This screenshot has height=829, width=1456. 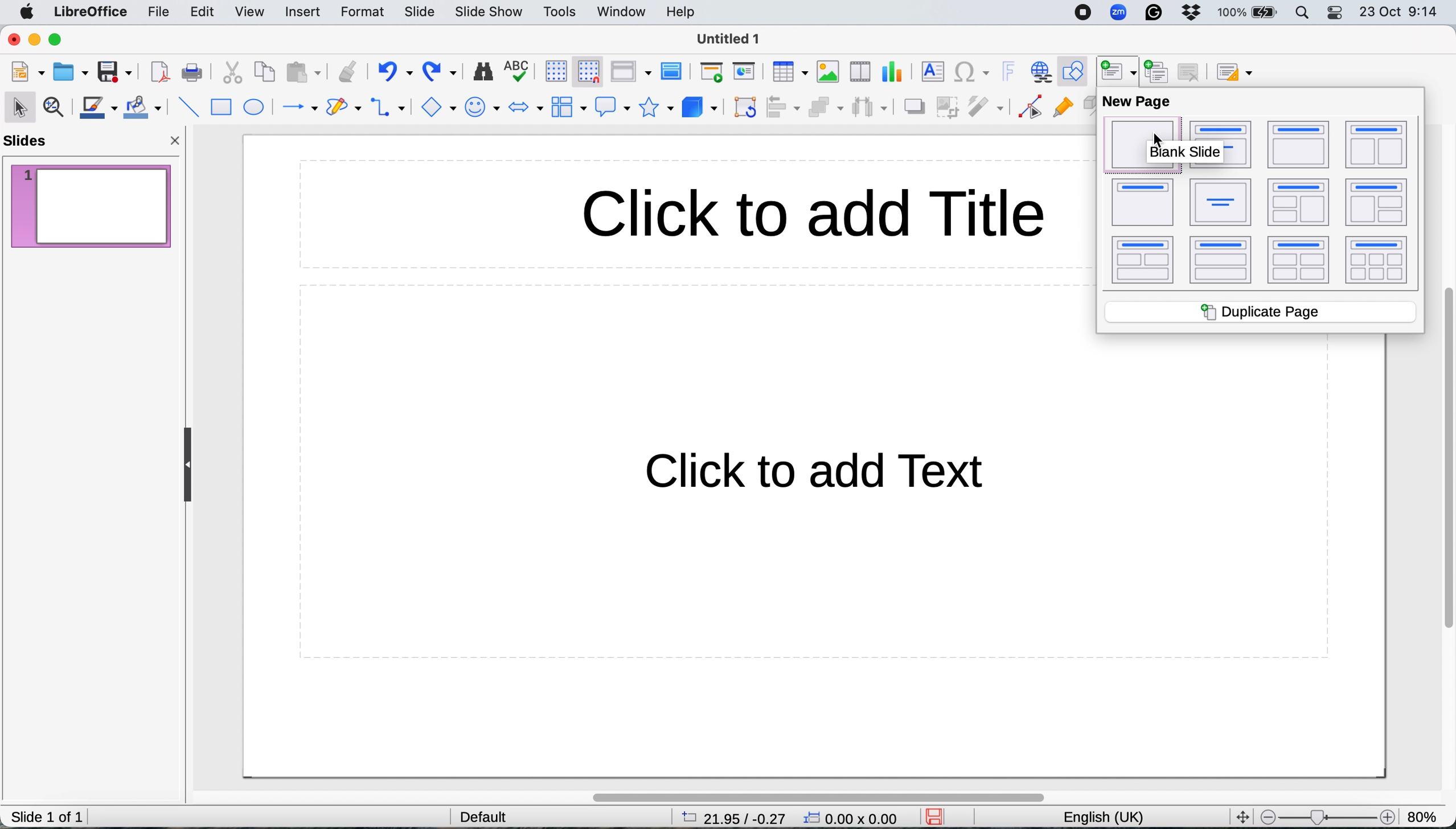 What do you see at coordinates (34, 39) in the screenshot?
I see `minimise` at bounding box center [34, 39].